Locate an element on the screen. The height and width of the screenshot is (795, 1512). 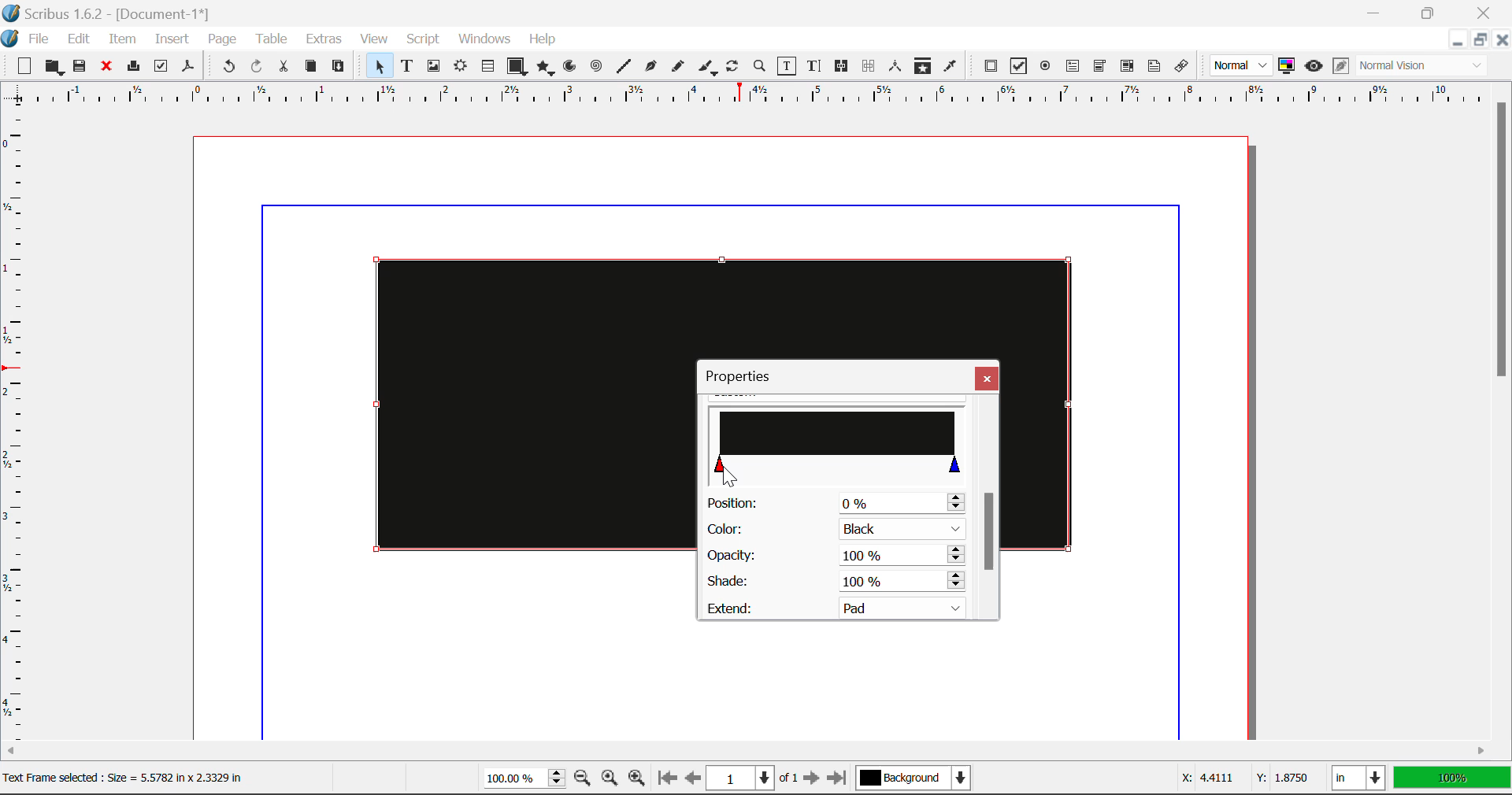
Vertical Page Margins is located at coordinates (755, 99).